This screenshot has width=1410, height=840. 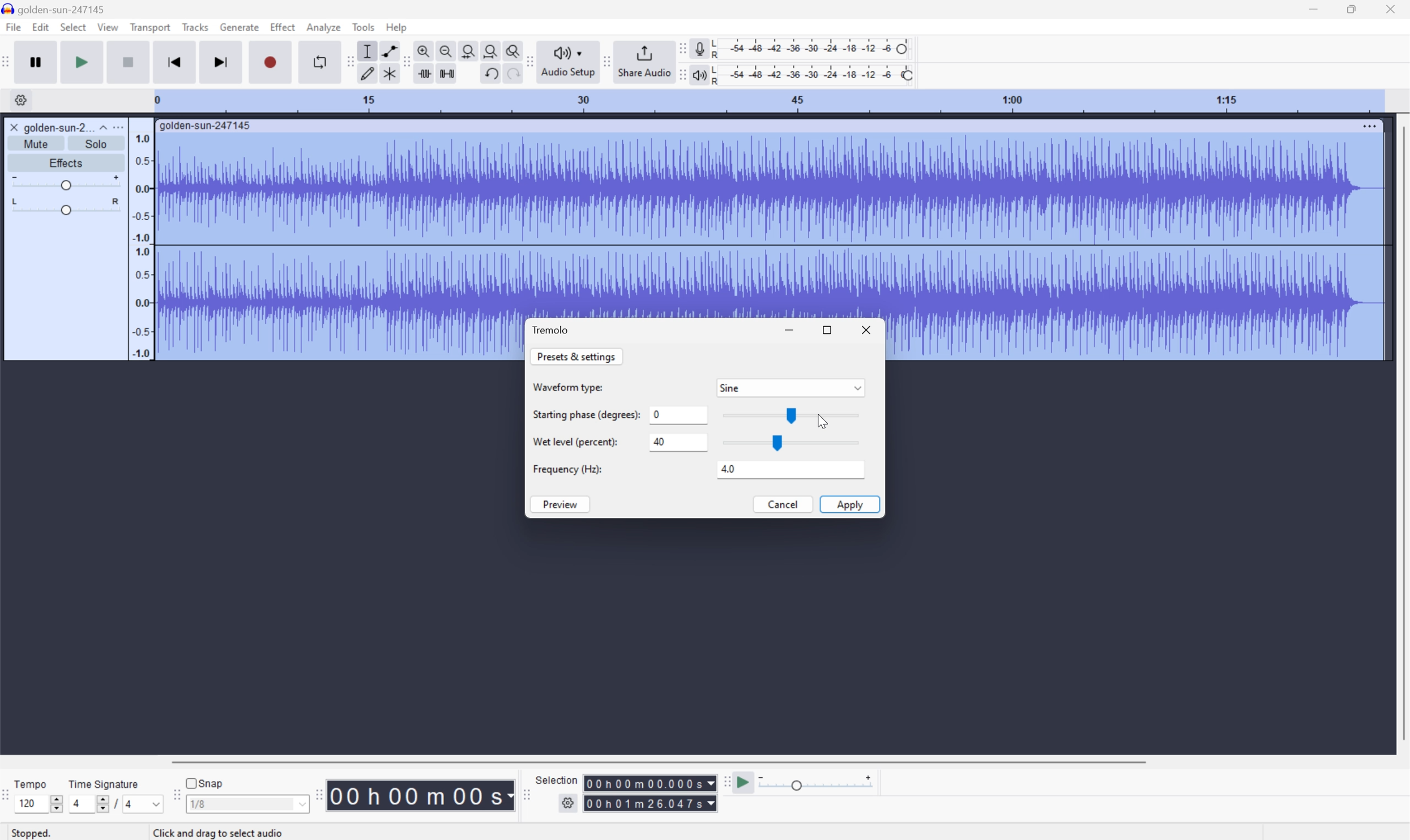 What do you see at coordinates (67, 163) in the screenshot?
I see `Effects` at bounding box center [67, 163].